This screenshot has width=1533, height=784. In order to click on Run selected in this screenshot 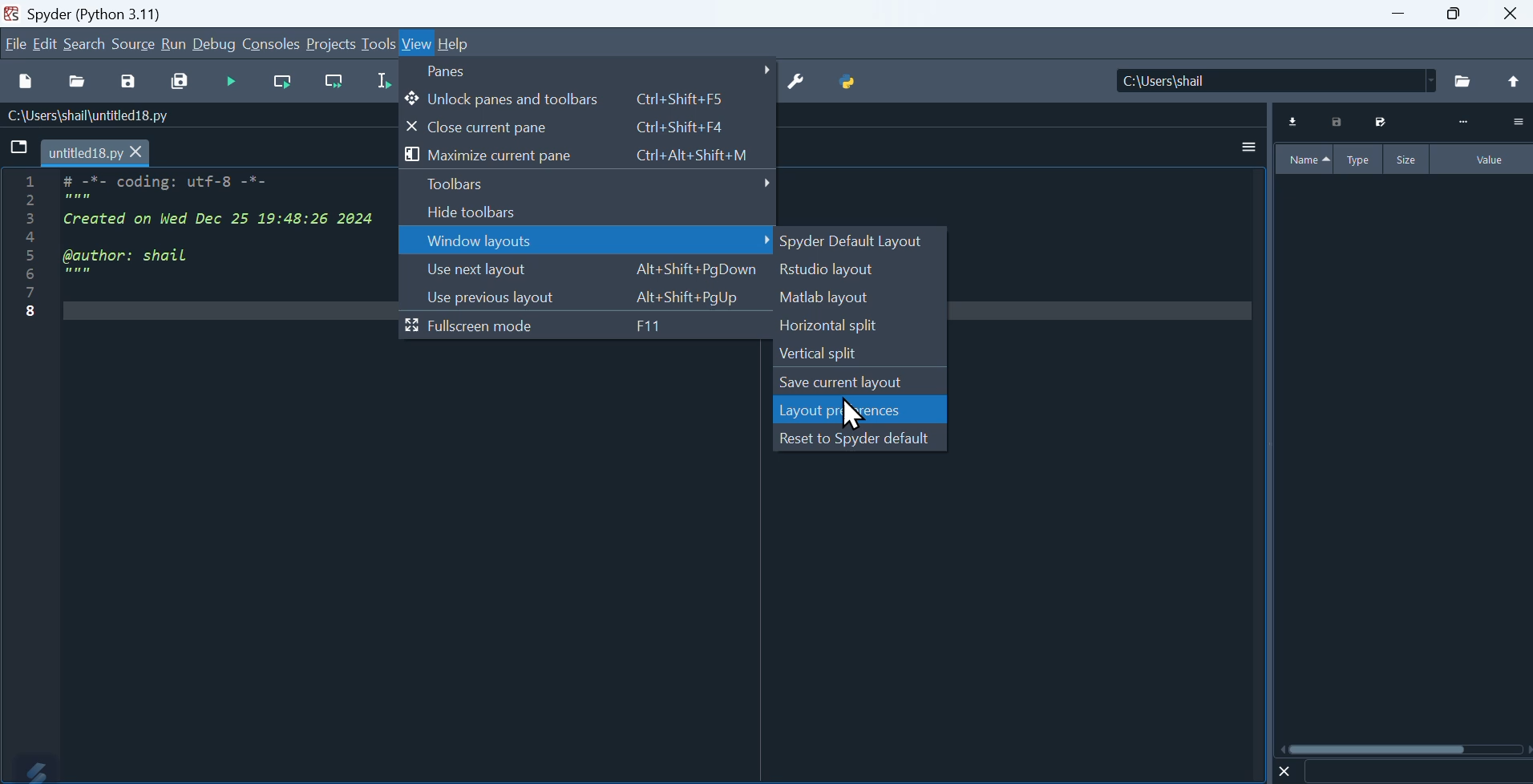, I will do `click(382, 82)`.